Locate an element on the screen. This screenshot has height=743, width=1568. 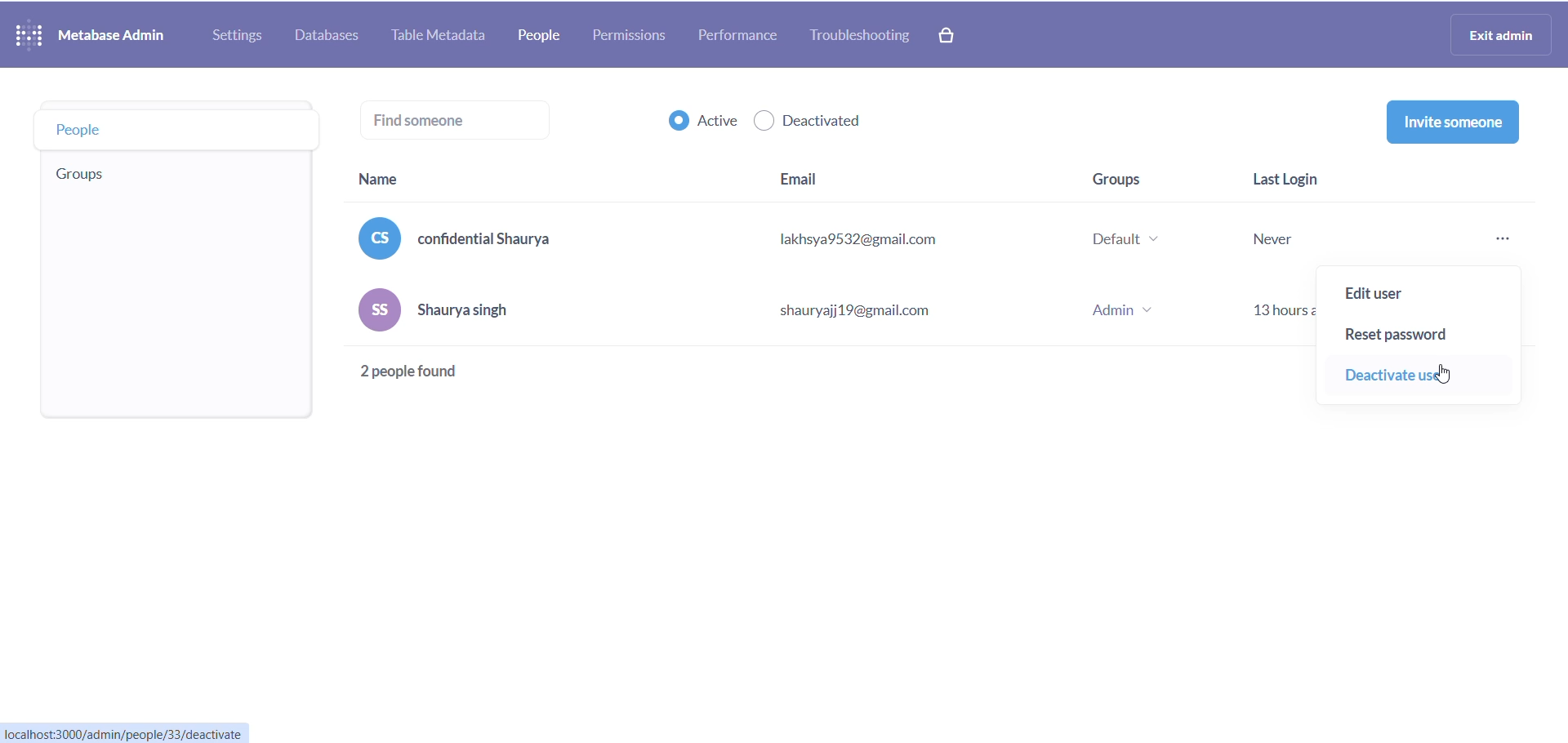
exit admin is located at coordinates (1502, 34).